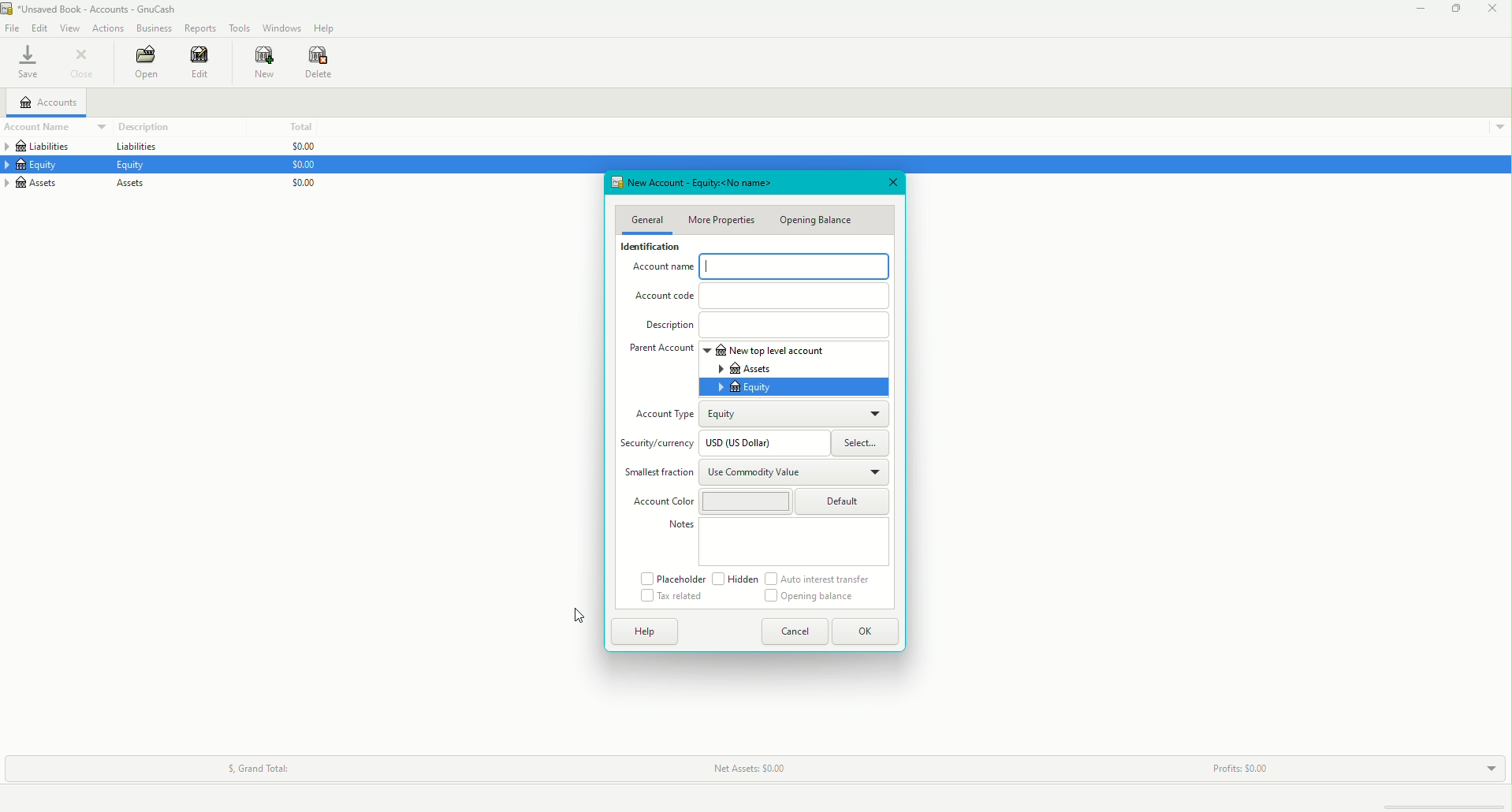 This screenshot has width=1512, height=812. What do you see at coordinates (46, 182) in the screenshot?
I see `Assets` at bounding box center [46, 182].